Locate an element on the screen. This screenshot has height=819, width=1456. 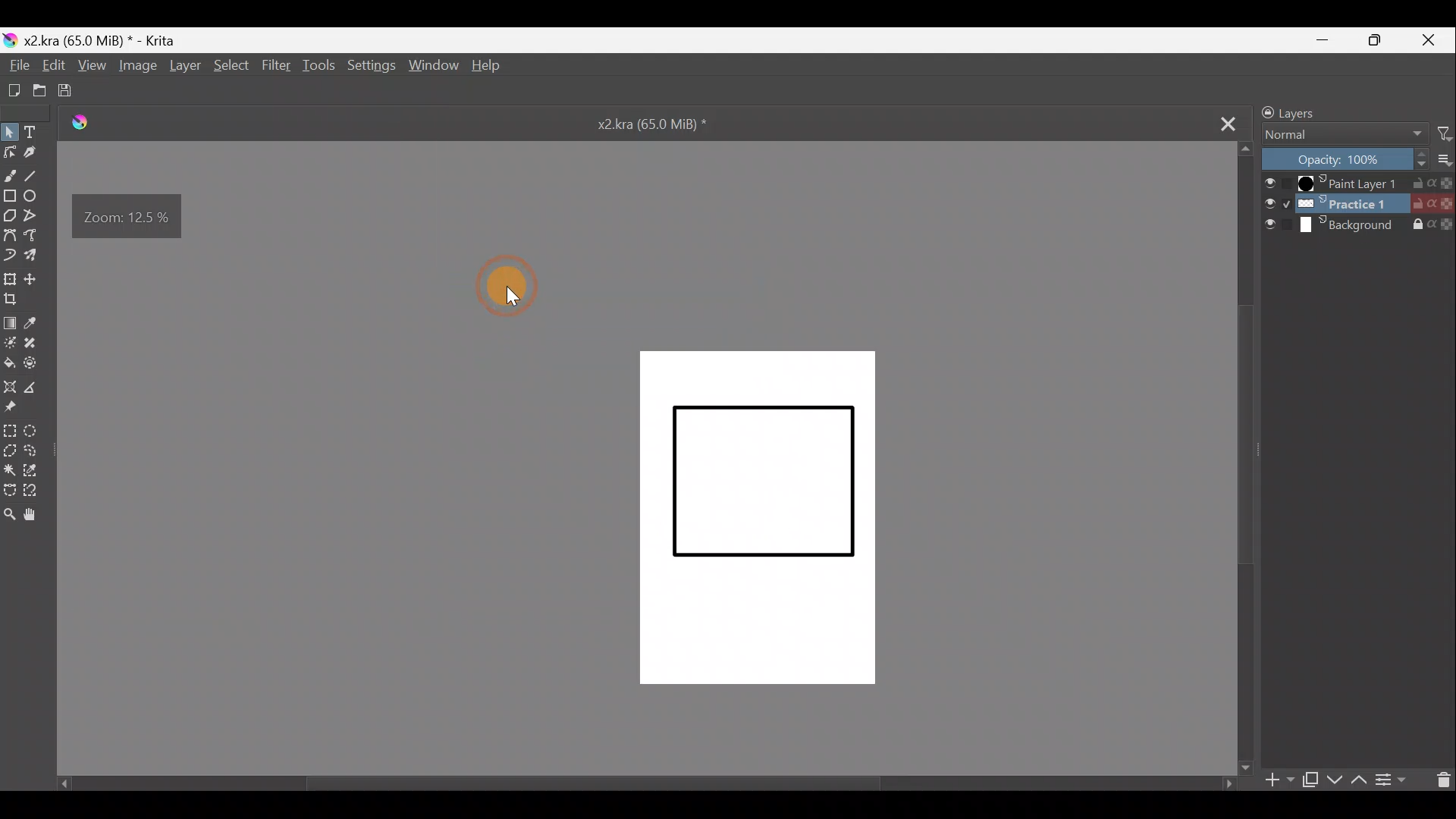
Select is located at coordinates (233, 67).